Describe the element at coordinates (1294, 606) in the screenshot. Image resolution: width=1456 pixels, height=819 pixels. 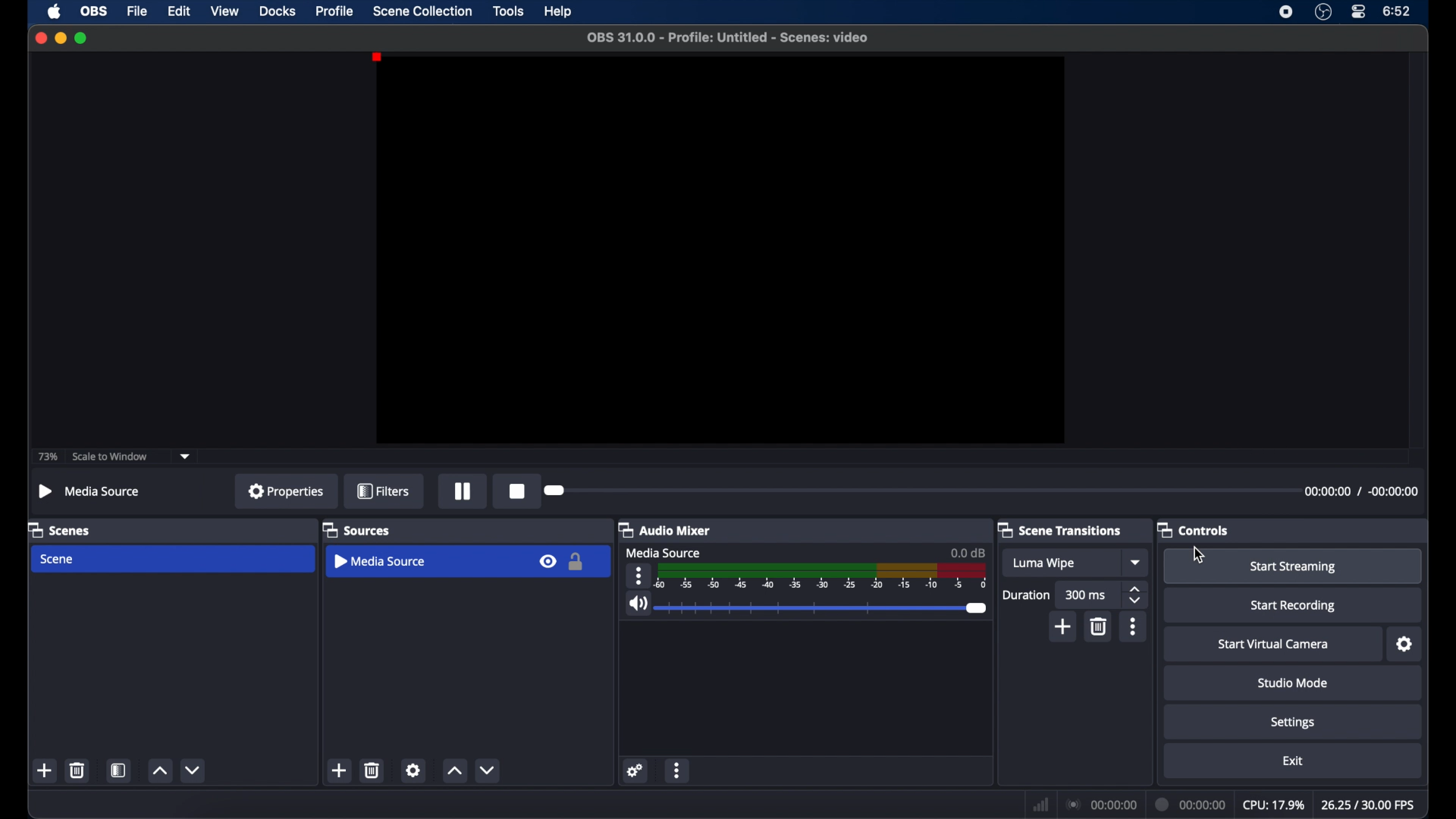
I see `start recording` at that location.